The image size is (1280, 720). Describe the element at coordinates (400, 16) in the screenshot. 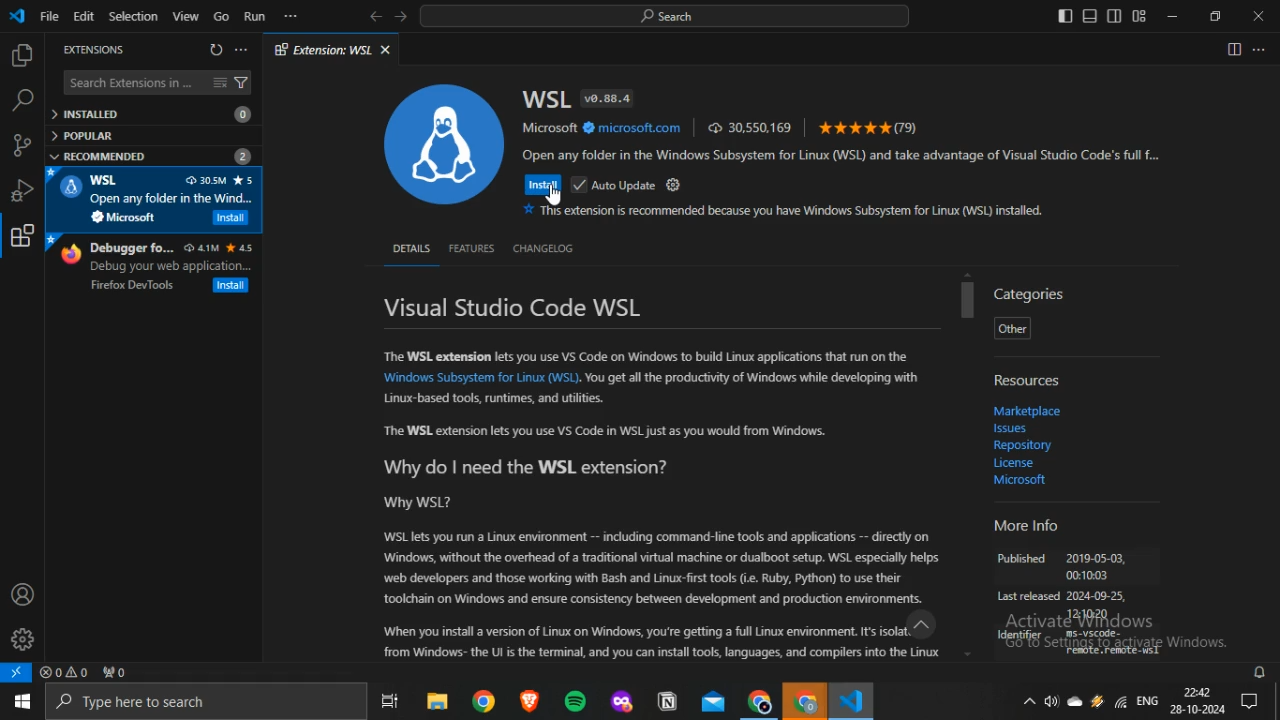

I see `forward` at that location.